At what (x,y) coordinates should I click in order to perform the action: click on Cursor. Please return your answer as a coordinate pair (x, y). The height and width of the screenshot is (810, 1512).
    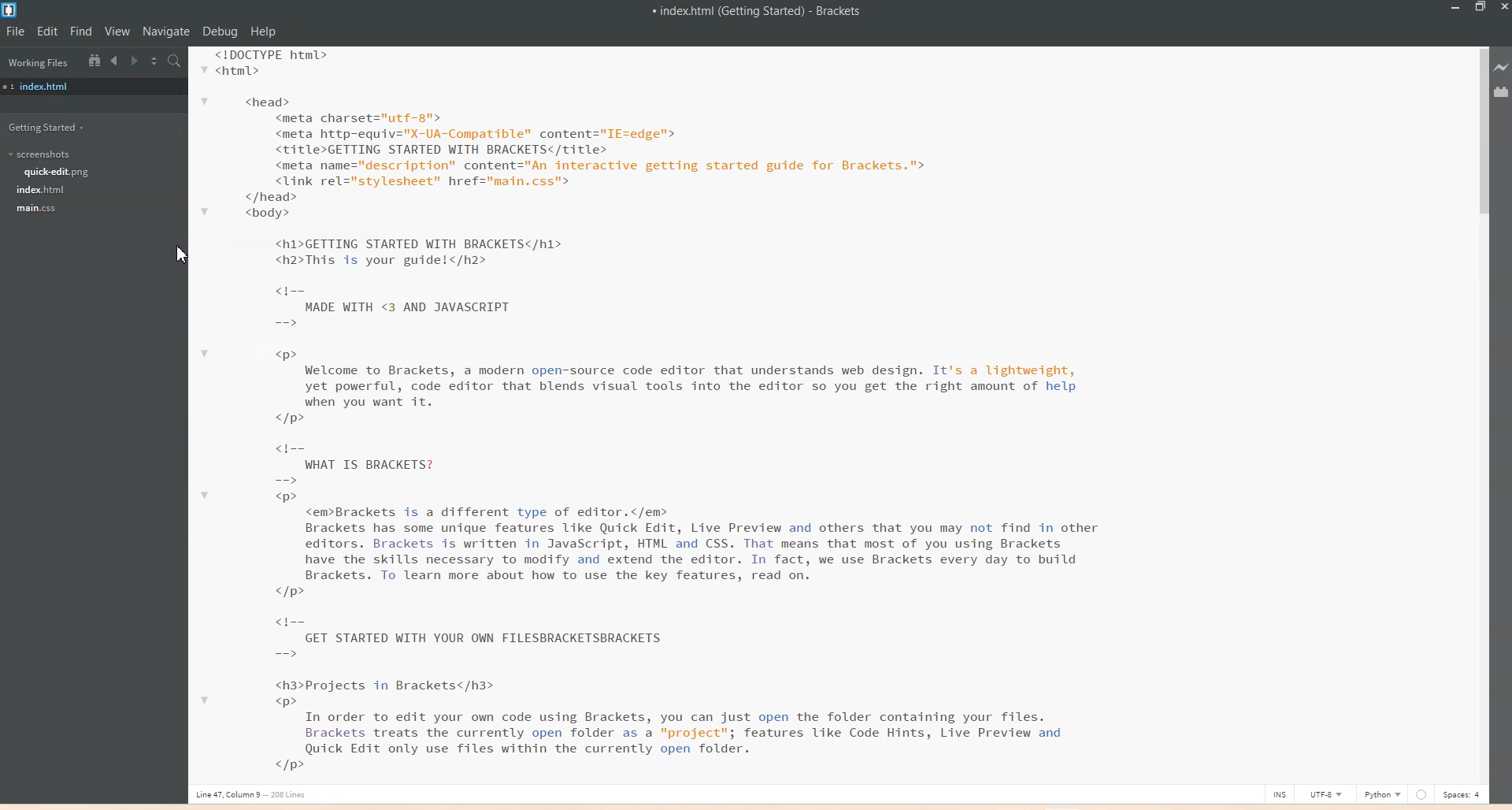
    Looking at the image, I should click on (183, 255).